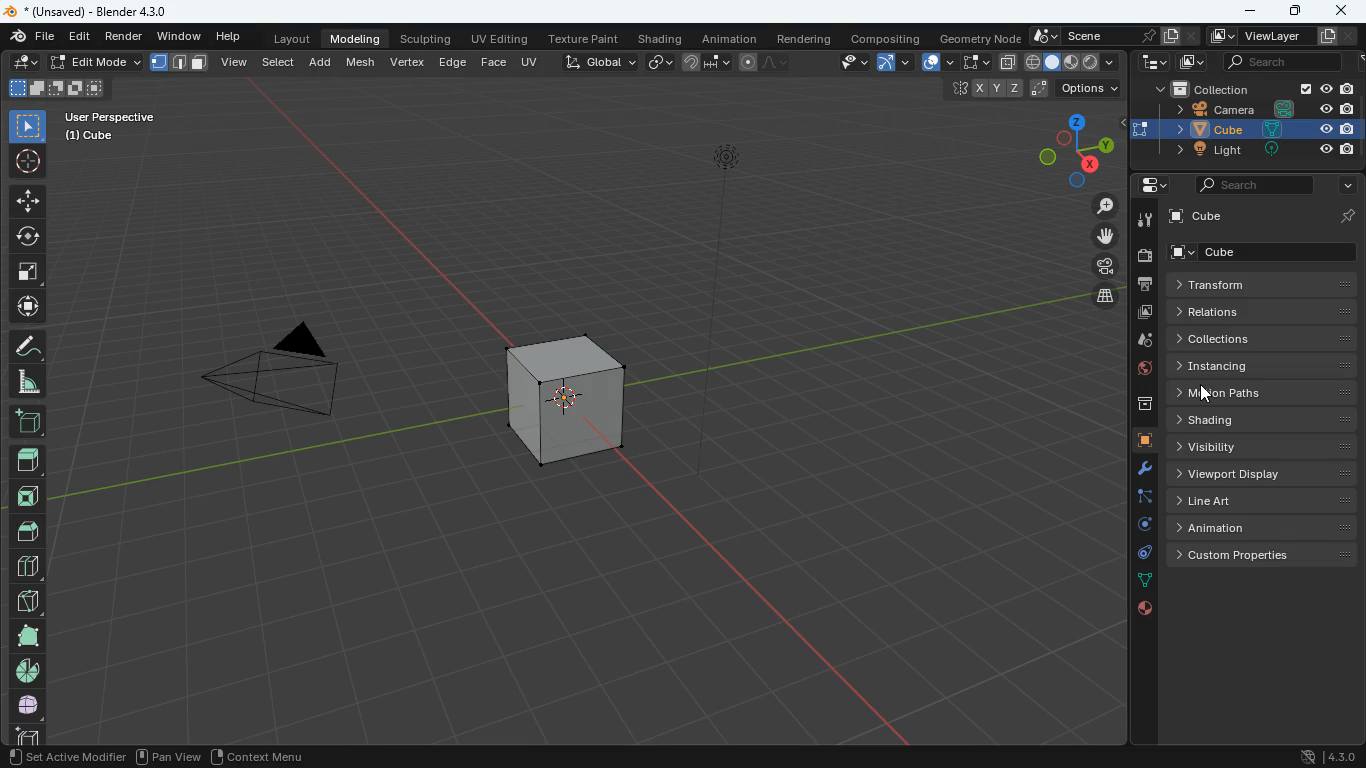 The width and height of the screenshot is (1366, 768). Describe the element at coordinates (495, 63) in the screenshot. I see `face` at that location.